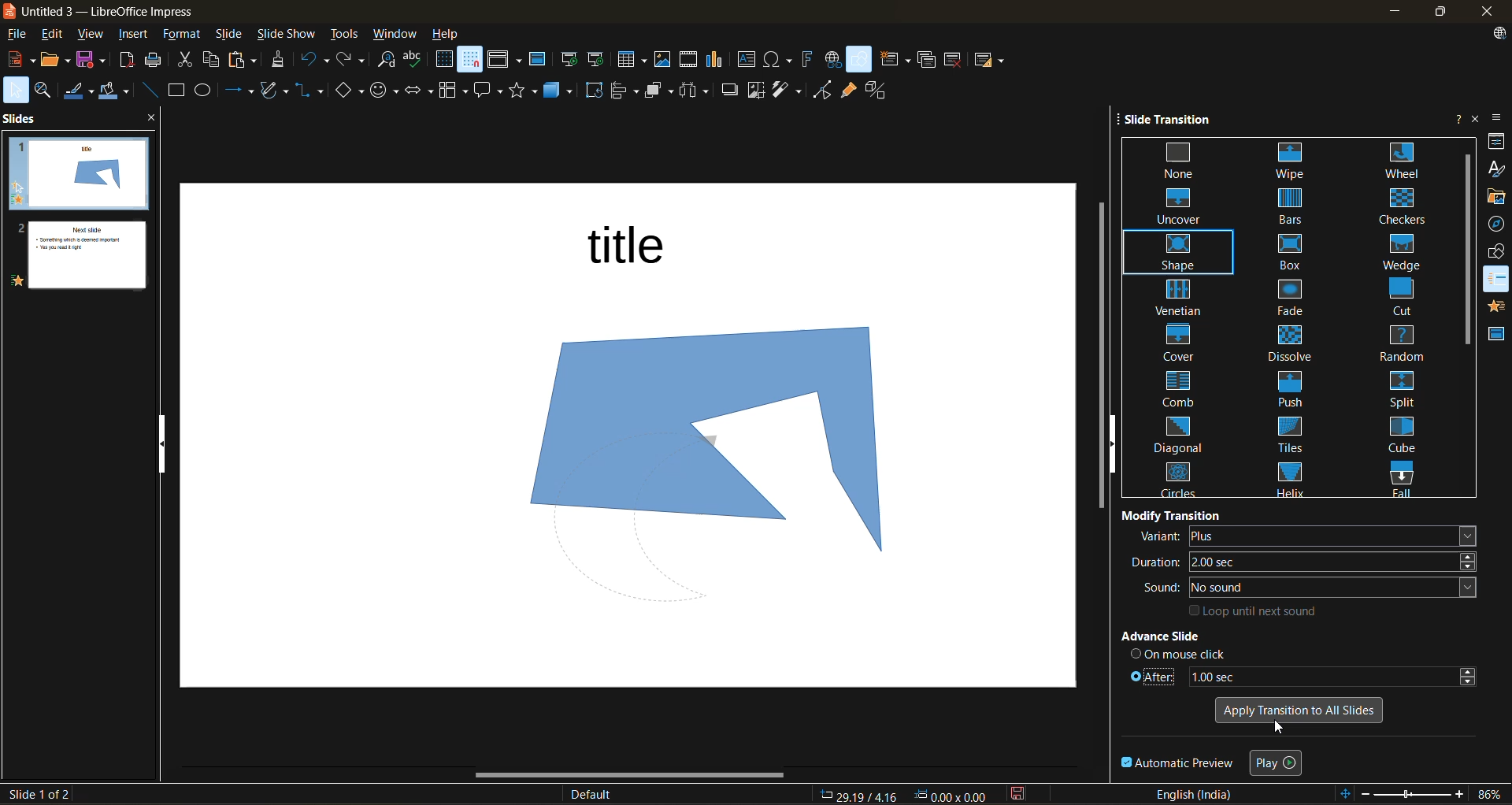  I want to click on fit to slide, so click(1347, 792).